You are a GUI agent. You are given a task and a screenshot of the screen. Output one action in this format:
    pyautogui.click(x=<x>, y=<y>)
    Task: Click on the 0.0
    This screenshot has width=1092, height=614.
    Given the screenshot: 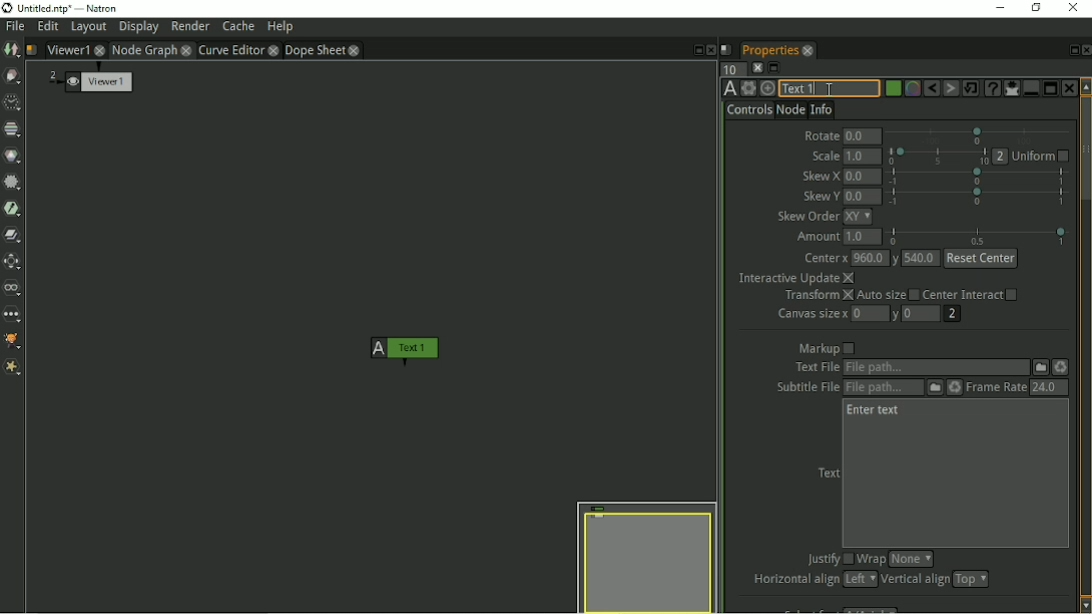 What is the action you would take?
    pyautogui.click(x=863, y=196)
    